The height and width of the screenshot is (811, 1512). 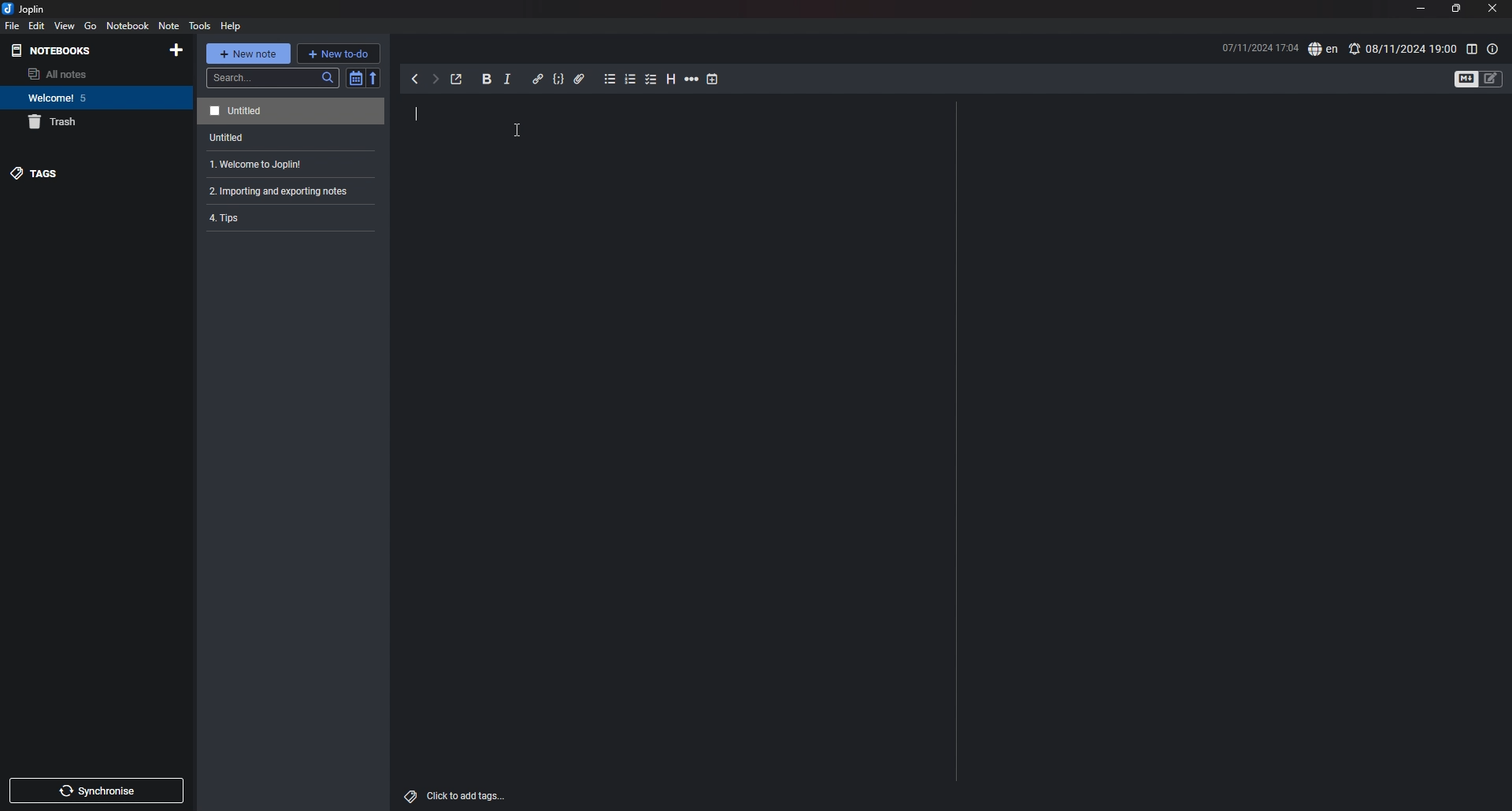 I want to click on new note, so click(x=248, y=52).